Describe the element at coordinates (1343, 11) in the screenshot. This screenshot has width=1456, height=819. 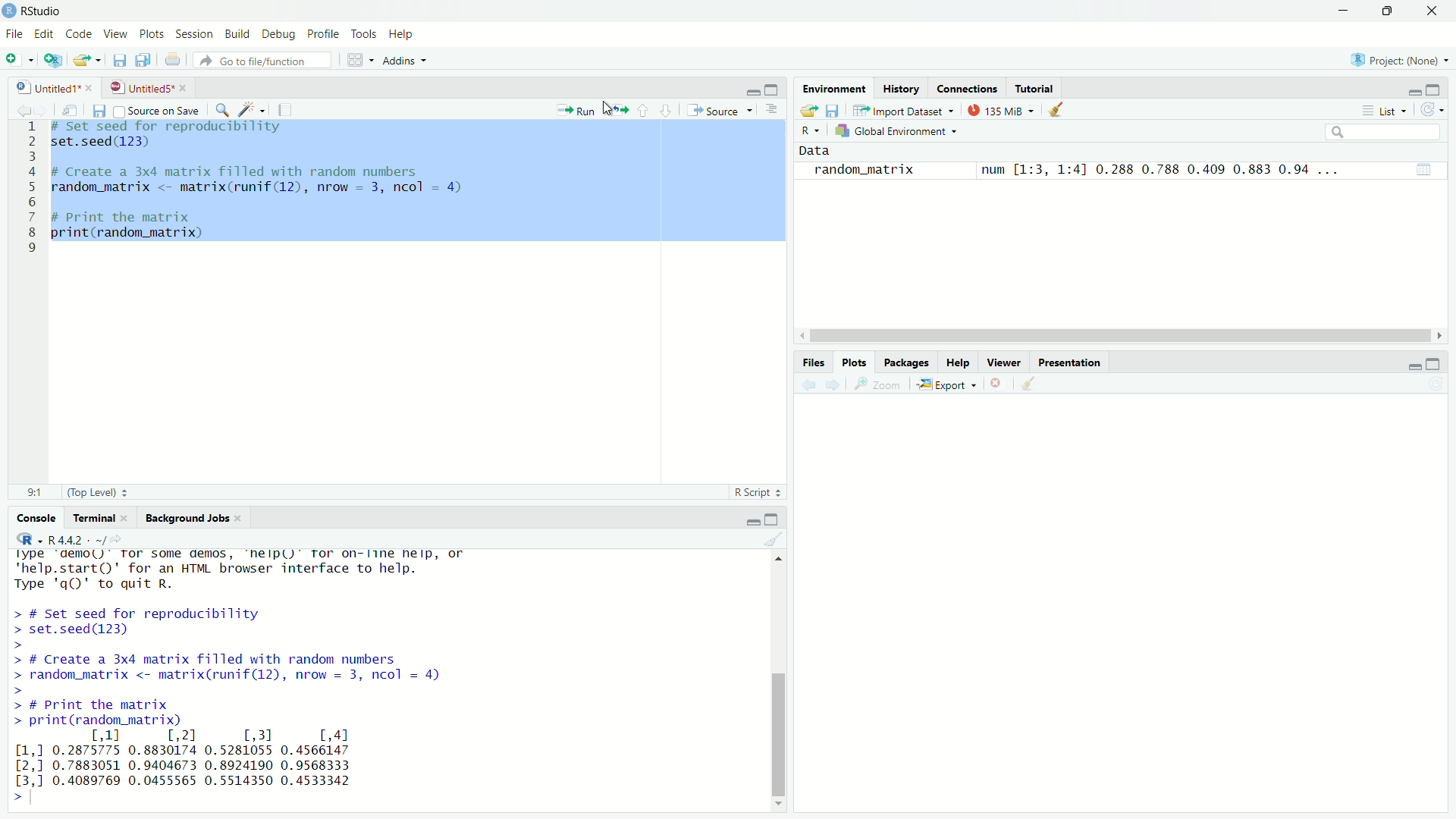
I see `minimise` at that location.